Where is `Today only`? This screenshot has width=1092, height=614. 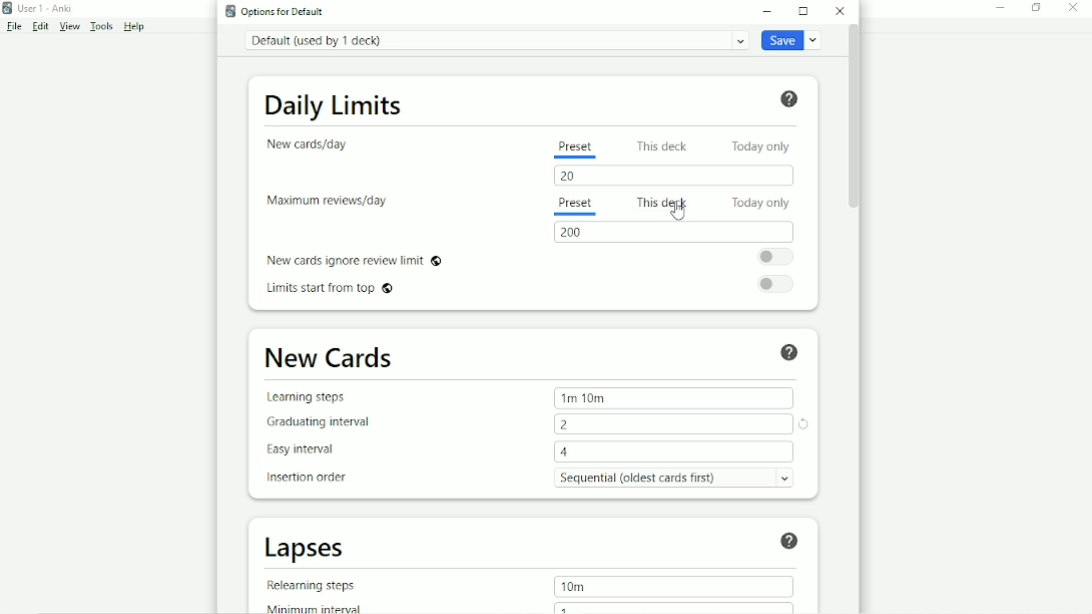 Today only is located at coordinates (762, 203).